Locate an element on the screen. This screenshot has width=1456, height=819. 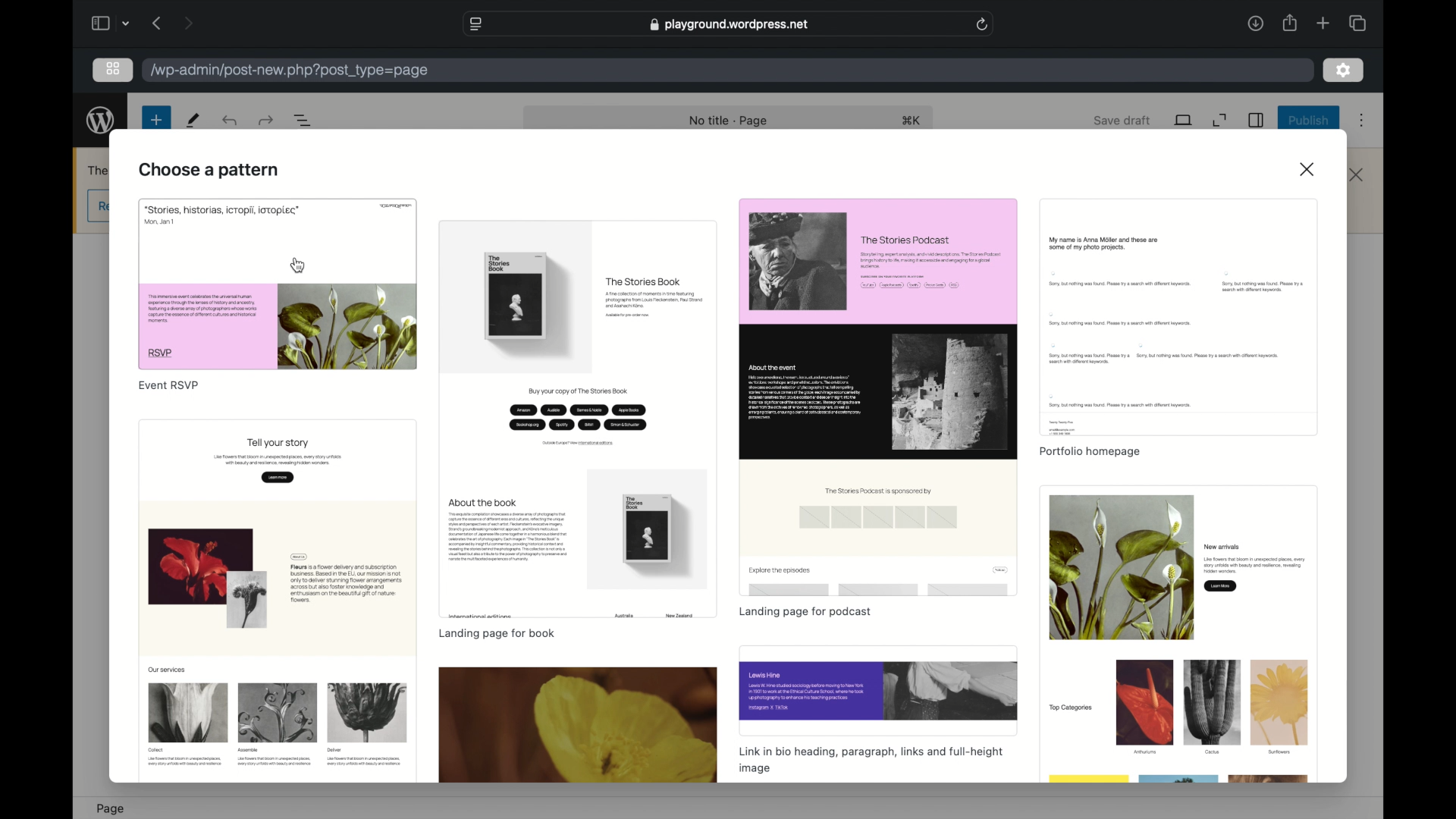
sidebar is located at coordinates (1257, 121).